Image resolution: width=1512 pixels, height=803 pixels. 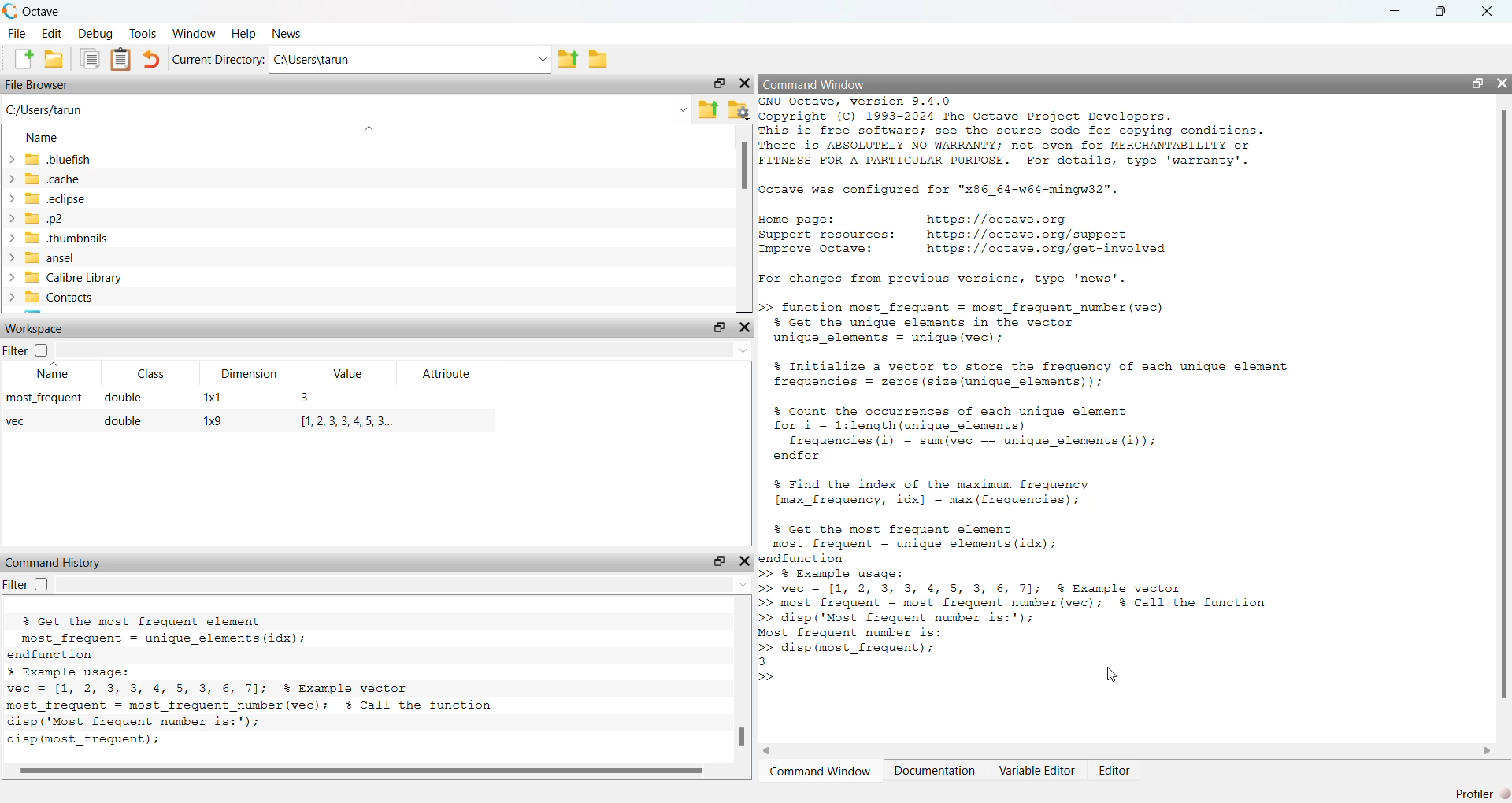 I want to click on One directory up, so click(x=569, y=58).